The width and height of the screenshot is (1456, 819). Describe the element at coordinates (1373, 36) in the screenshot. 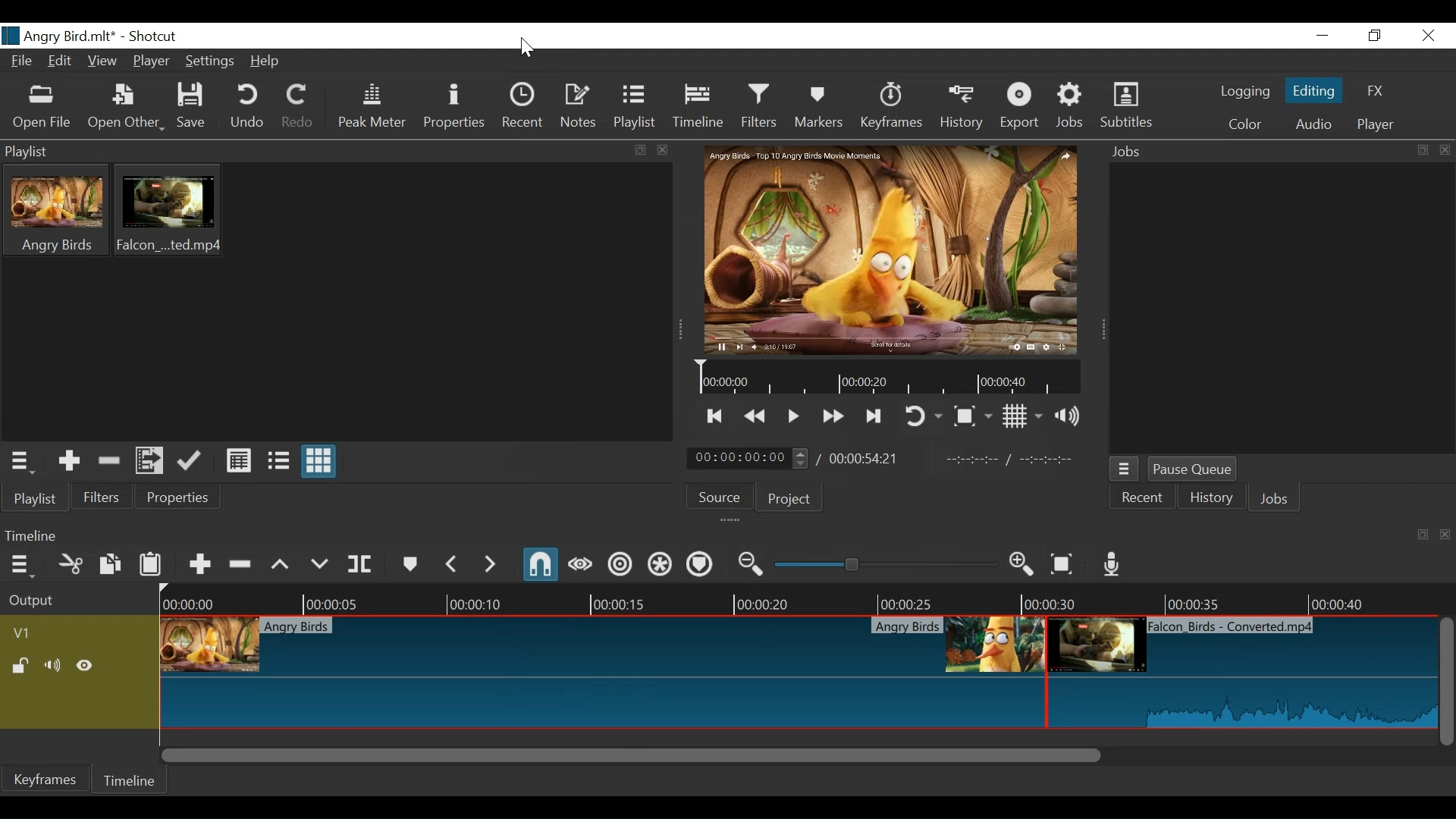

I see `Restore` at that location.